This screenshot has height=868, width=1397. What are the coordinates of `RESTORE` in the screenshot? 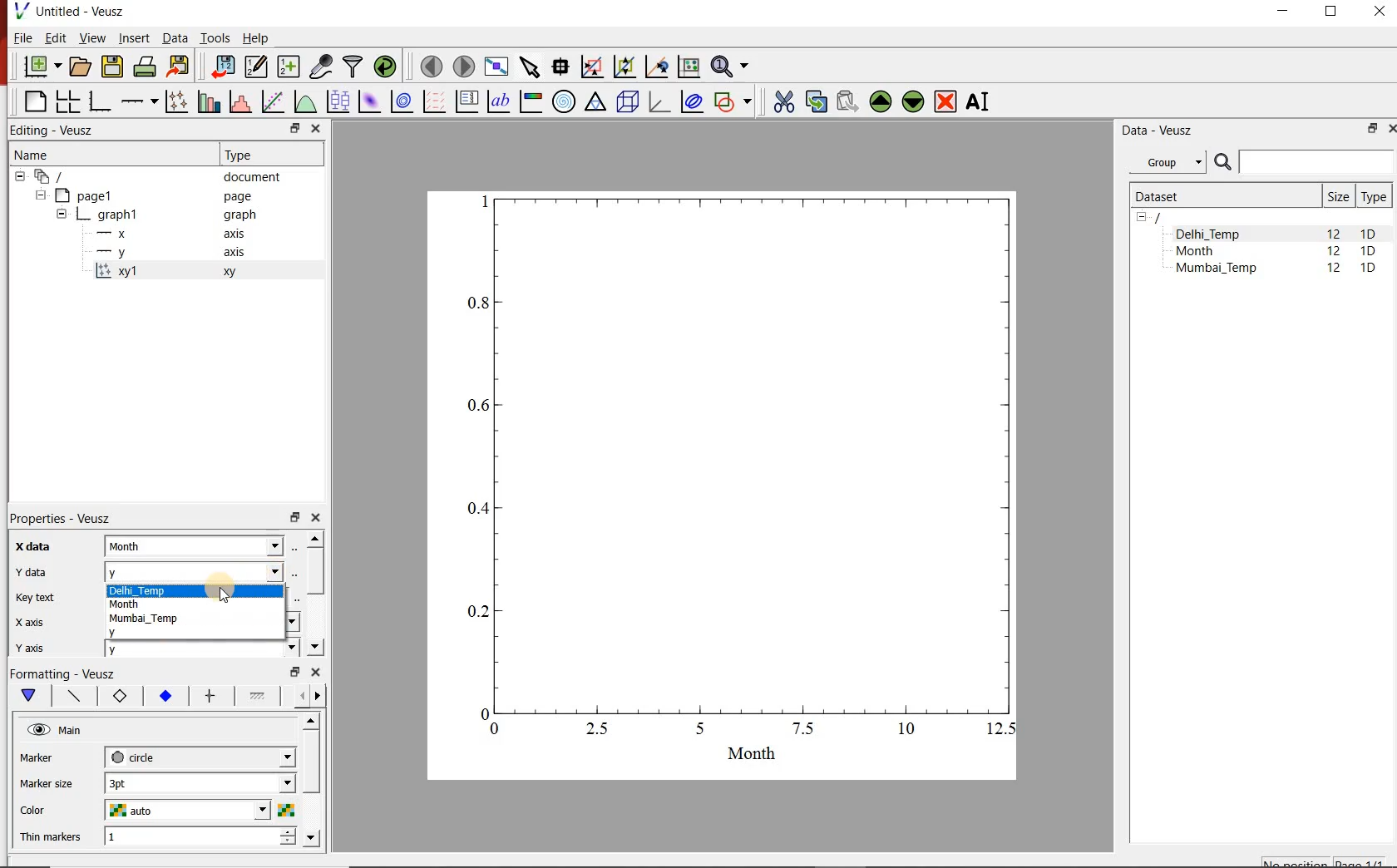 It's located at (1331, 12).